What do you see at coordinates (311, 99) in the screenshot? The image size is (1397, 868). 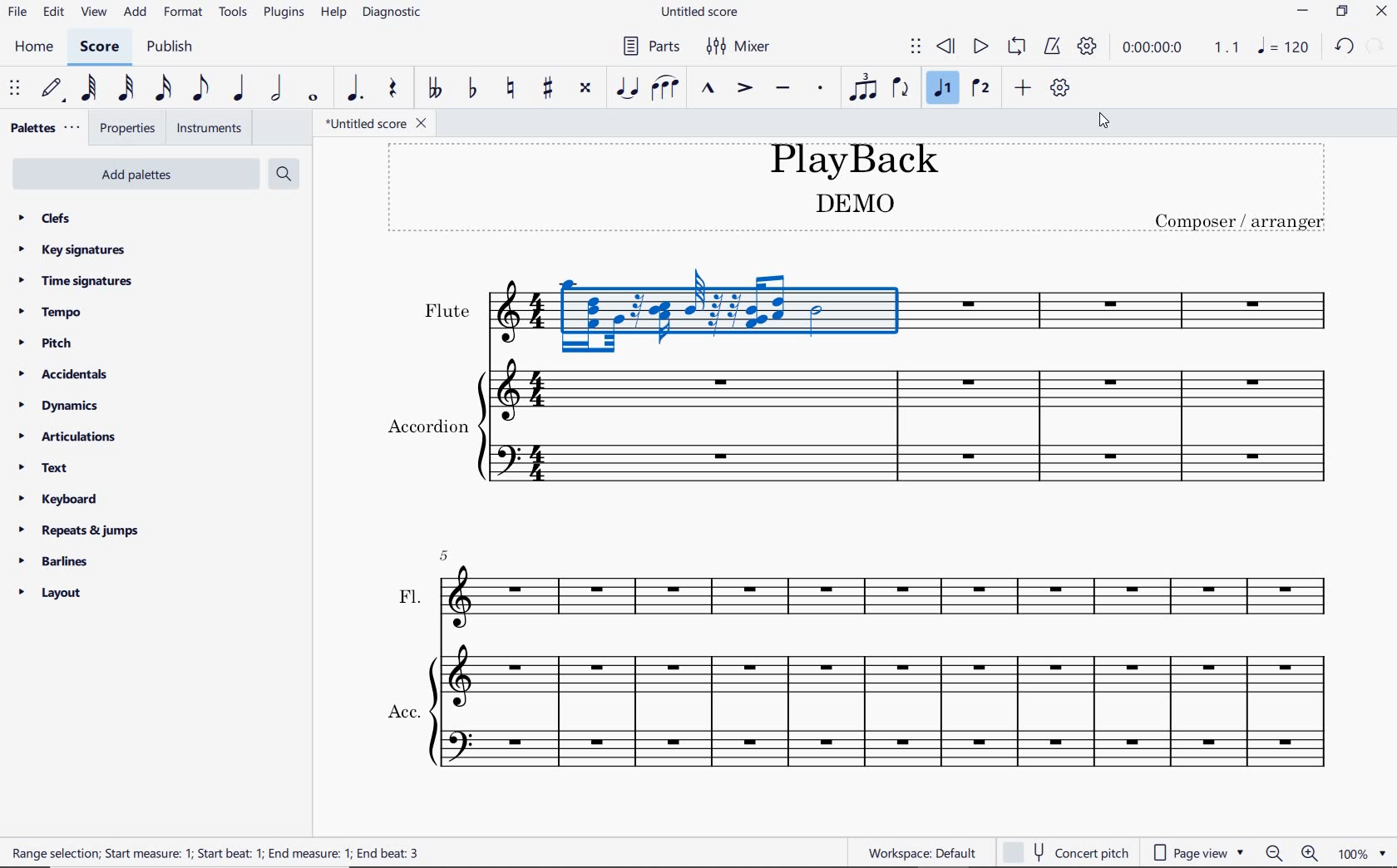 I see `whole note` at bounding box center [311, 99].